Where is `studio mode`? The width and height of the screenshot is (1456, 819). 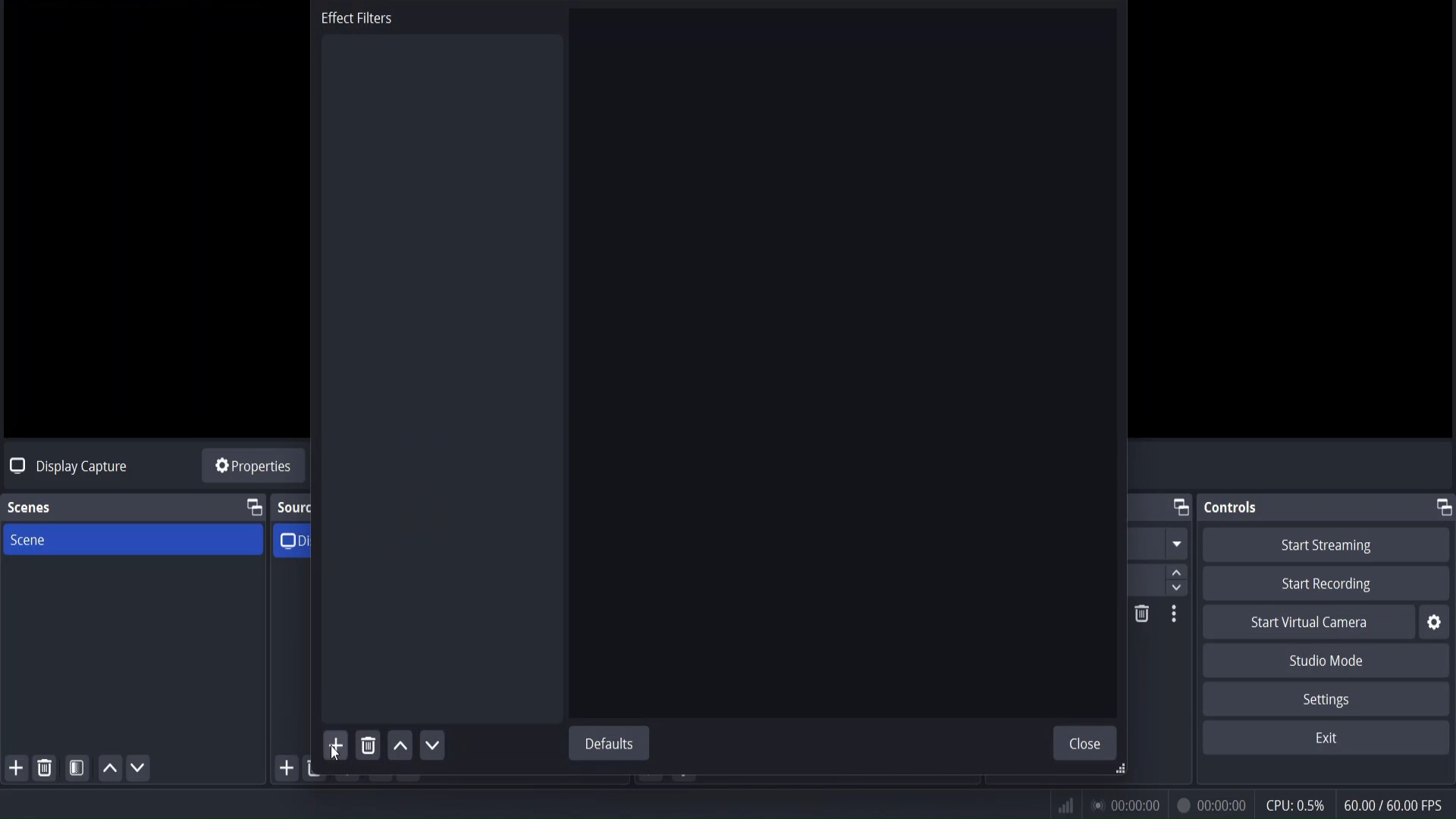 studio mode is located at coordinates (1329, 661).